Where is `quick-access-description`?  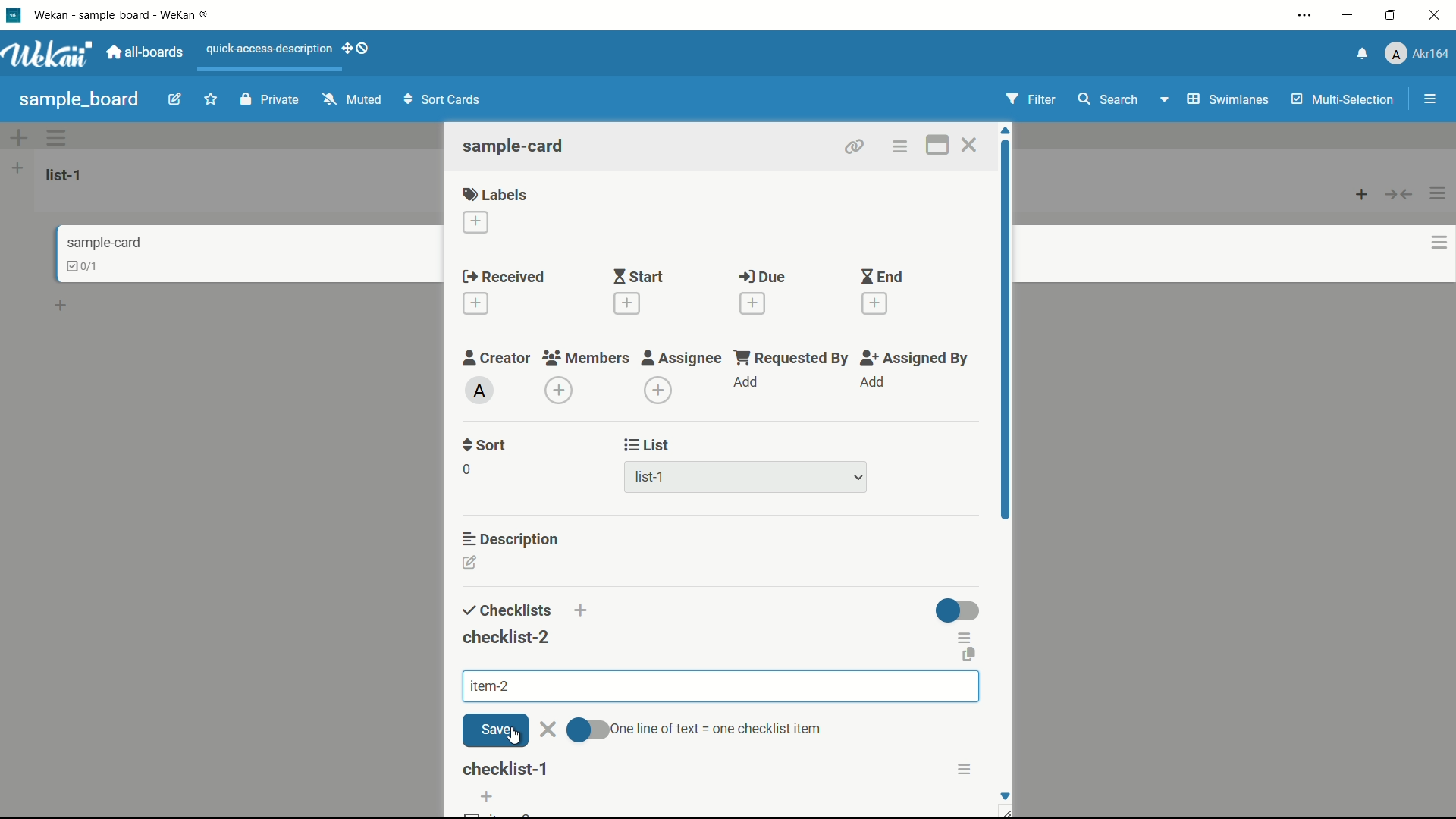 quick-access-description is located at coordinates (270, 49).